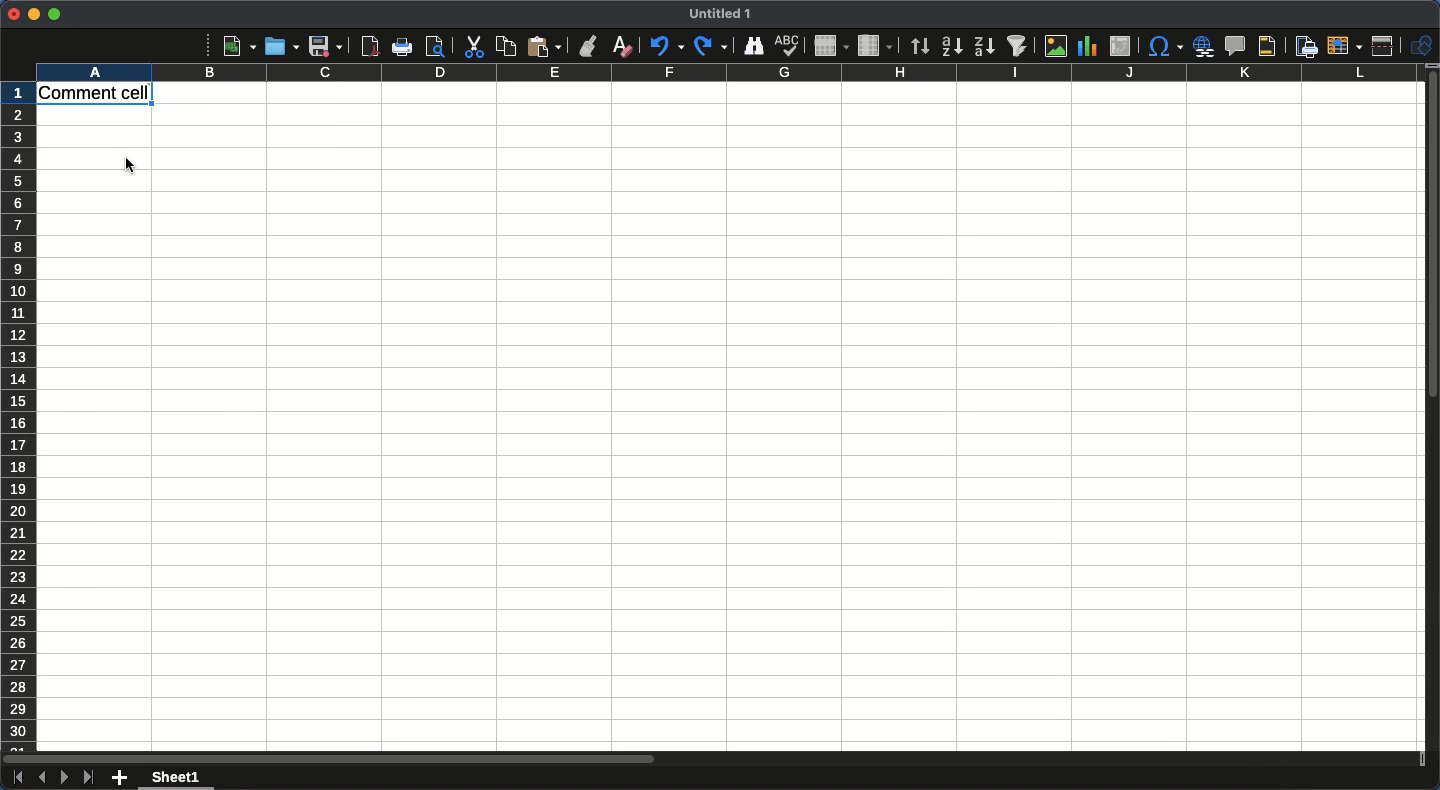 The width and height of the screenshot is (1440, 790). I want to click on Save, so click(324, 46).